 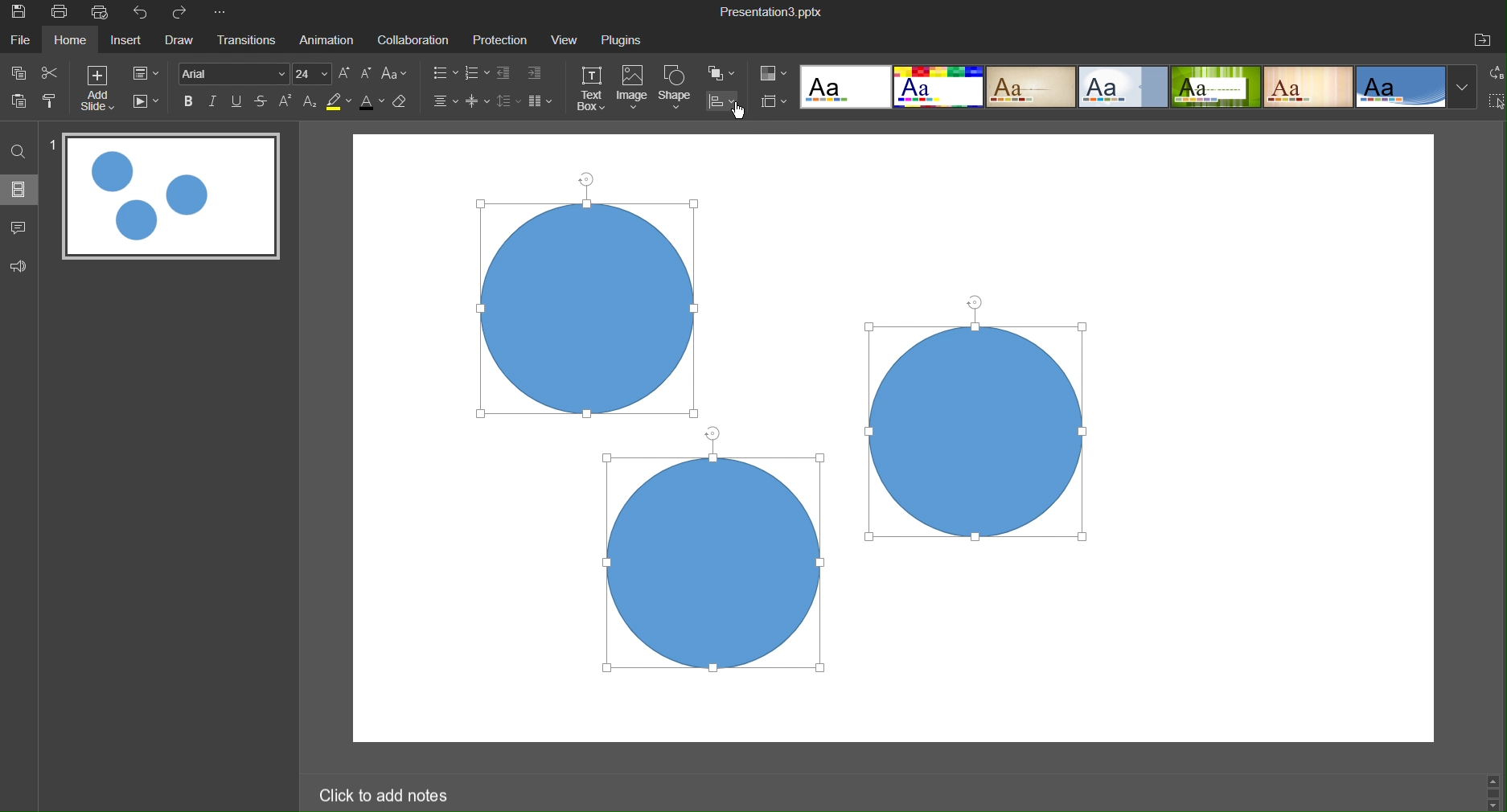 What do you see at coordinates (543, 101) in the screenshot?
I see `Columns` at bounding box center [543, 101].